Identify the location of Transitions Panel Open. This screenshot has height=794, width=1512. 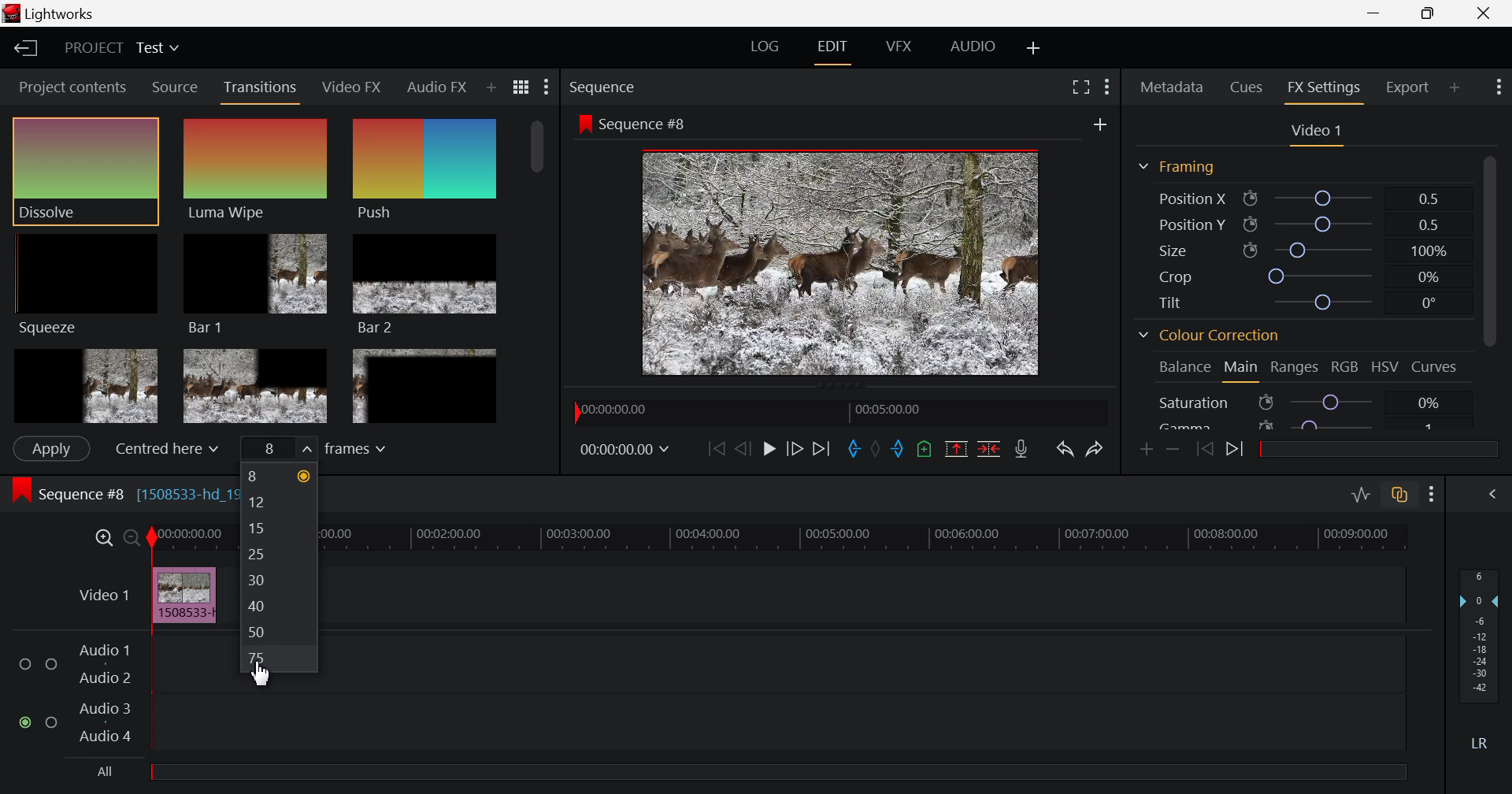
(261, 90).